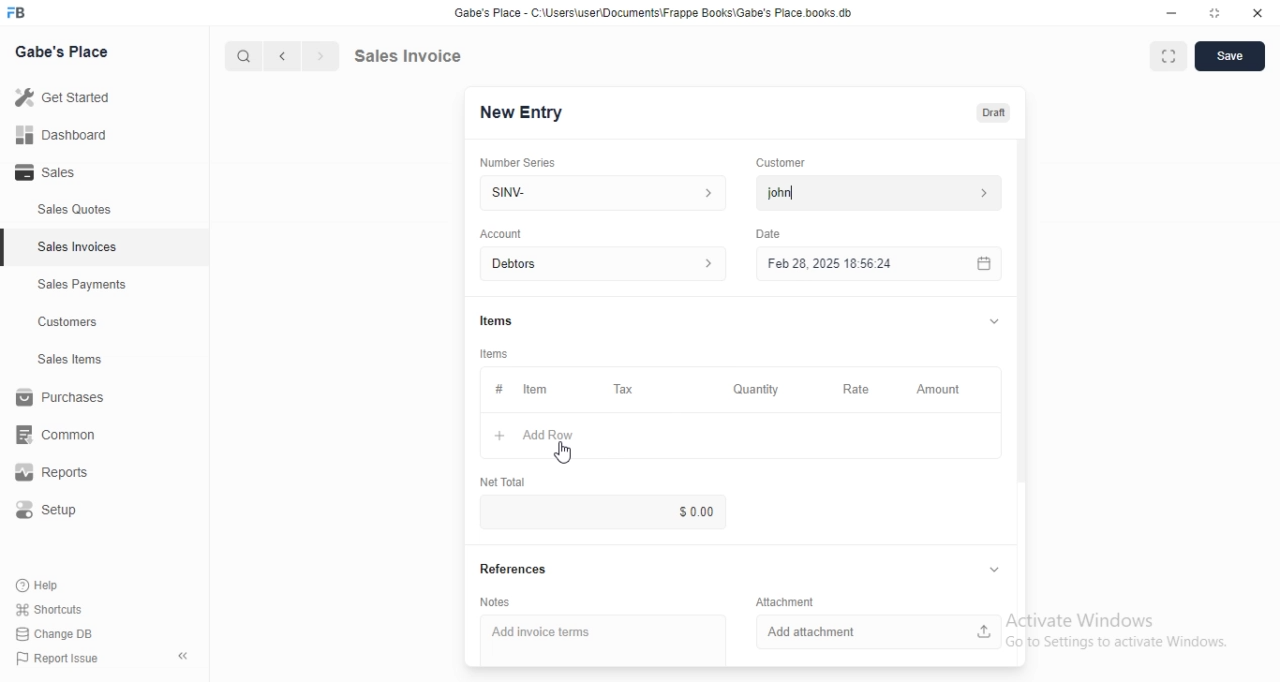 This screenshot has height=682, width=1280. I want to click on ‘Add attachment, so click(879, 630).